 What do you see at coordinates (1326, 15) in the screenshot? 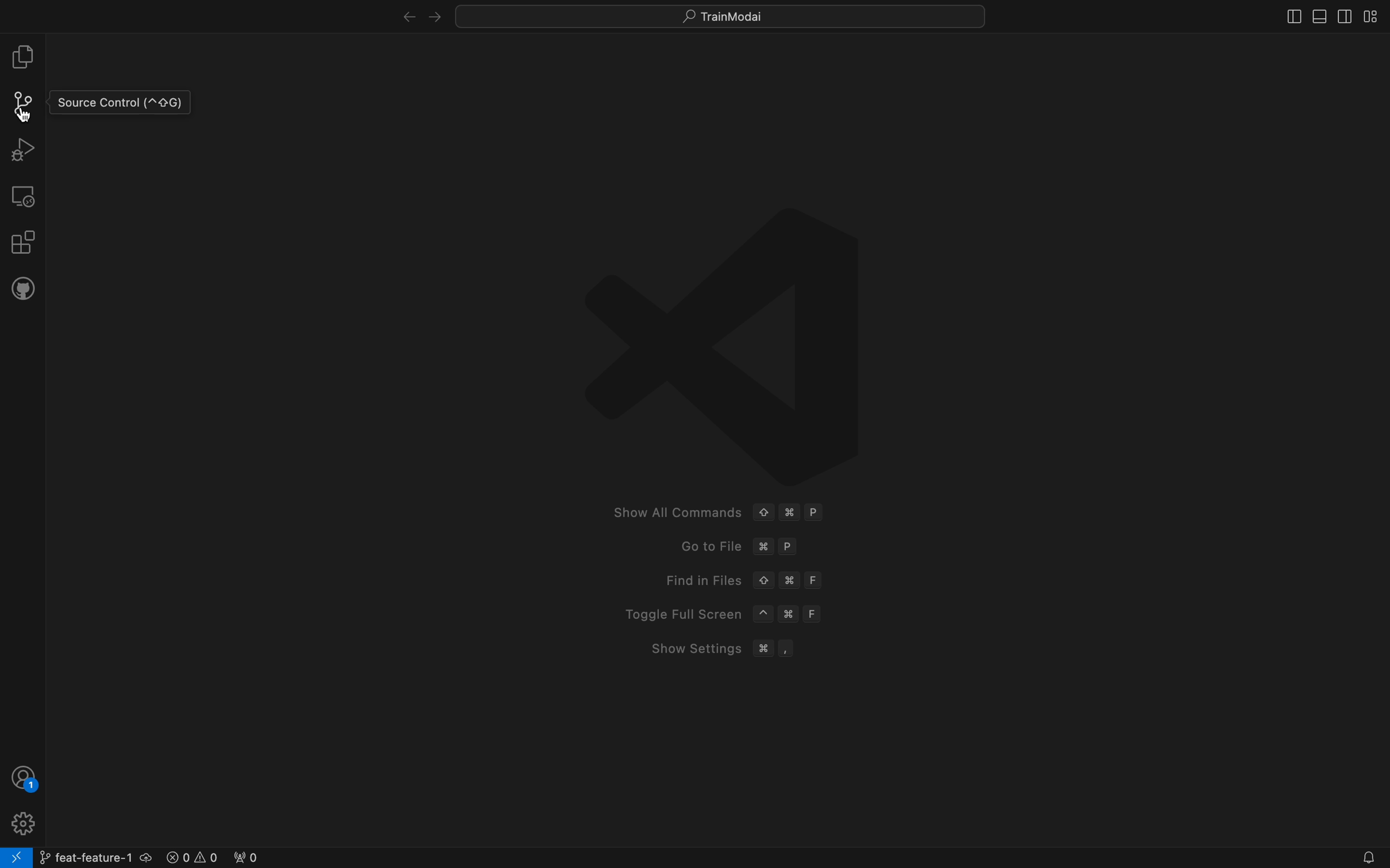
I see `layouts` at bounding box center [1326, 15].